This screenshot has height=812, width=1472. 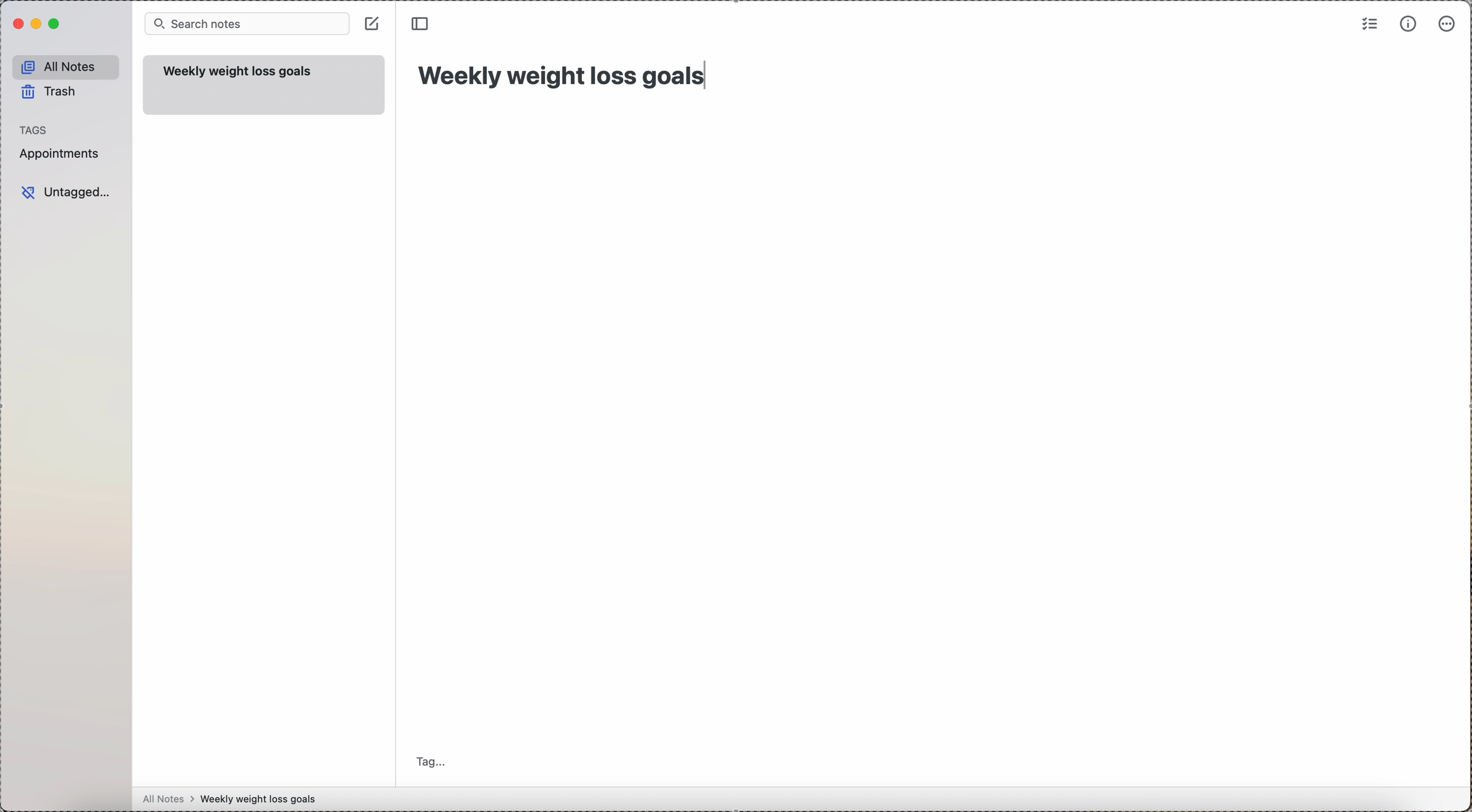 I want to click on trash, so click(x=49, y=91).